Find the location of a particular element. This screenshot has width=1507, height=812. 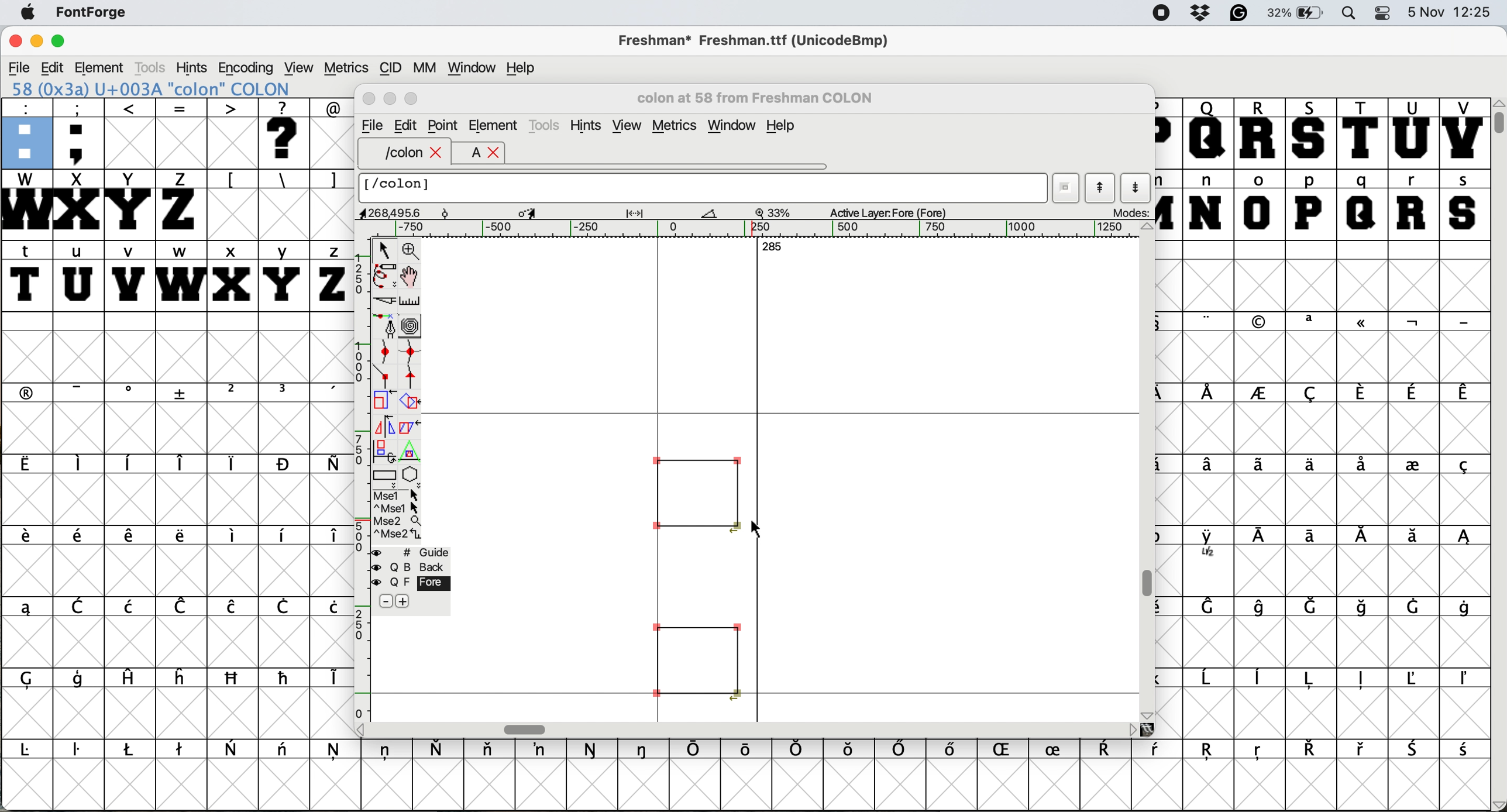

Freshman* Freshman.ttf (UnicodeBmp) is located at coordinates (759, 40).